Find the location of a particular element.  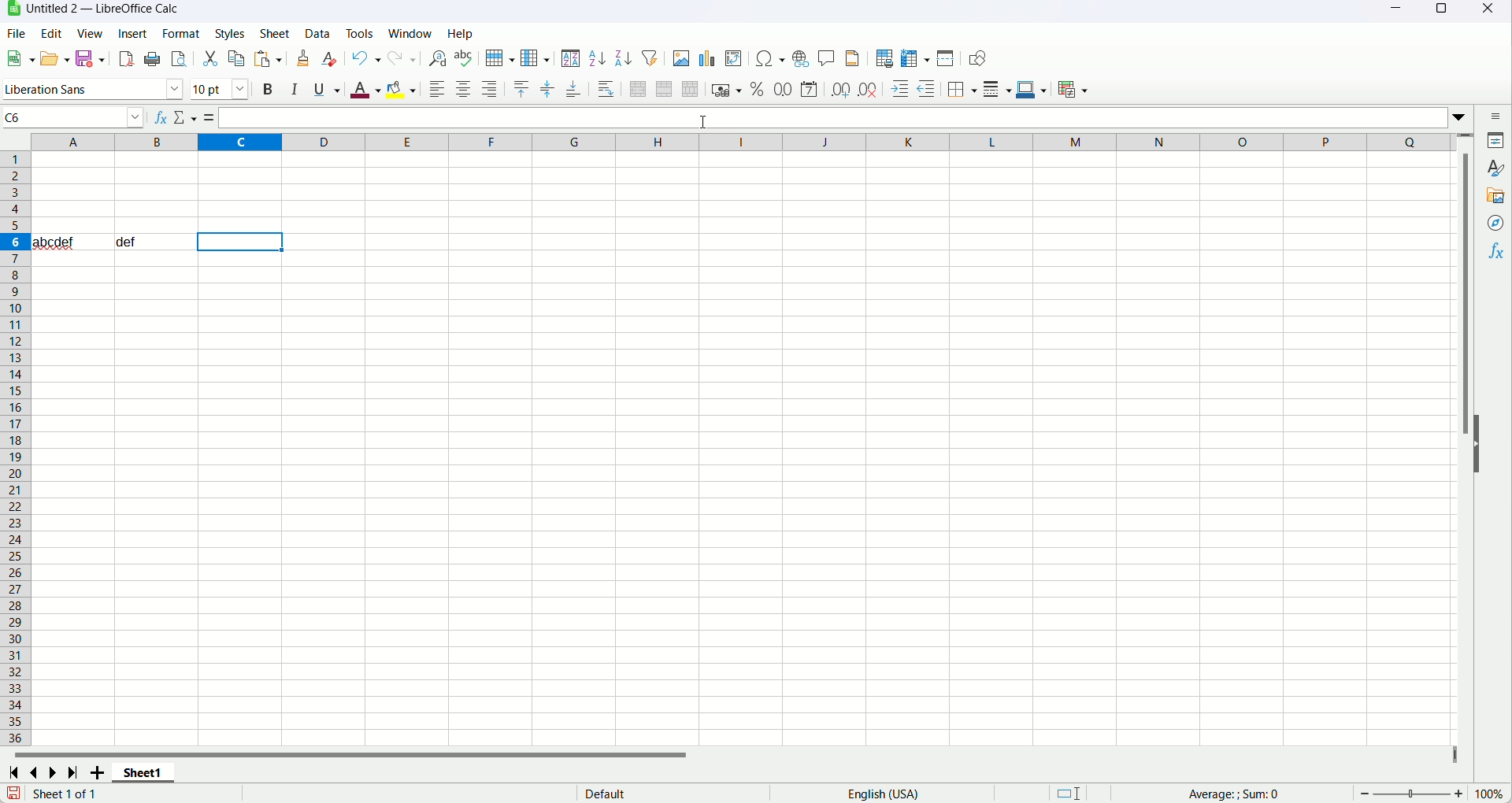

conditional is located at coordinates (1073, 91).